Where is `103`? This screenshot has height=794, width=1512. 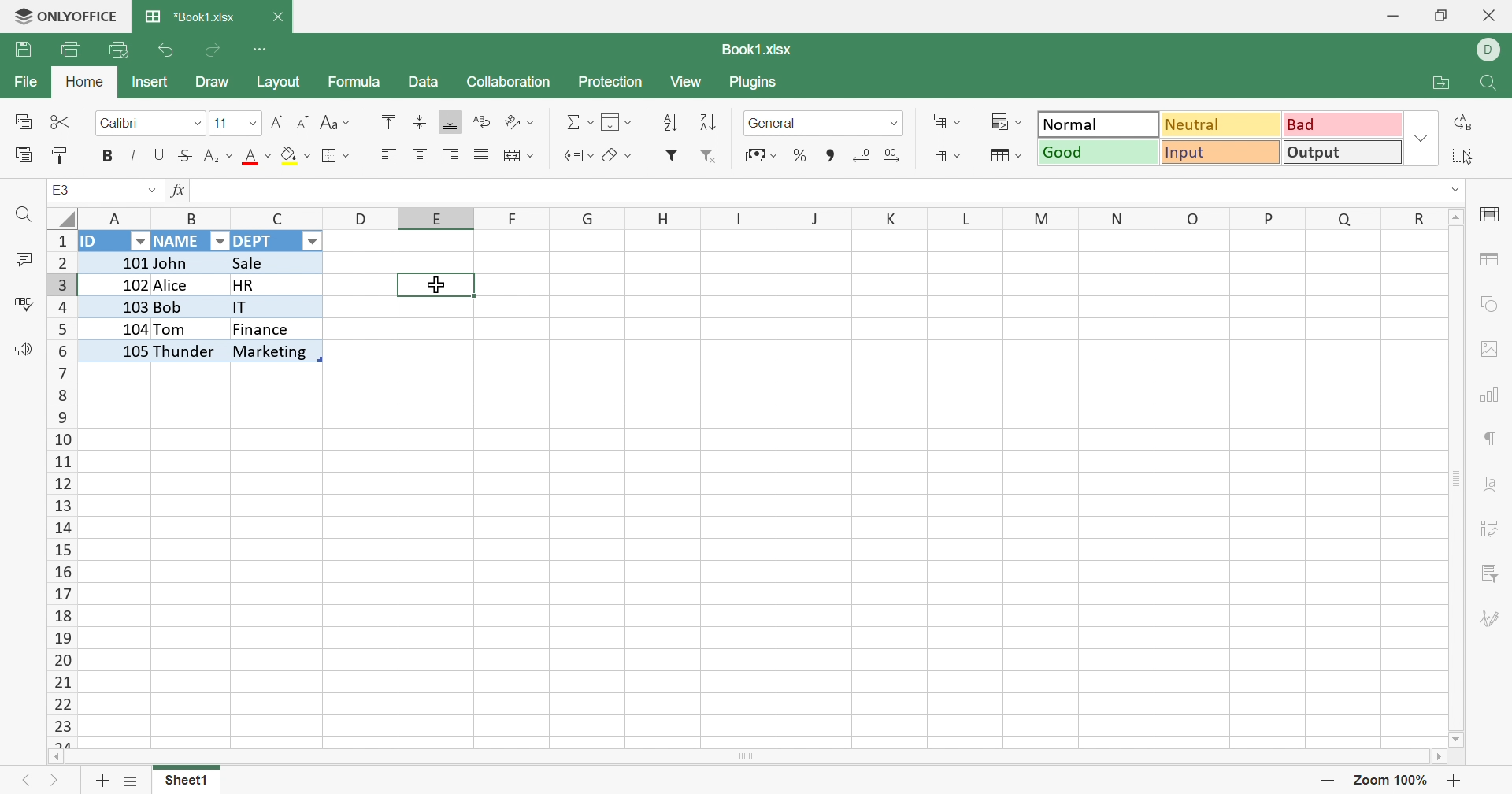
103 is located at coordinates (117, 306).